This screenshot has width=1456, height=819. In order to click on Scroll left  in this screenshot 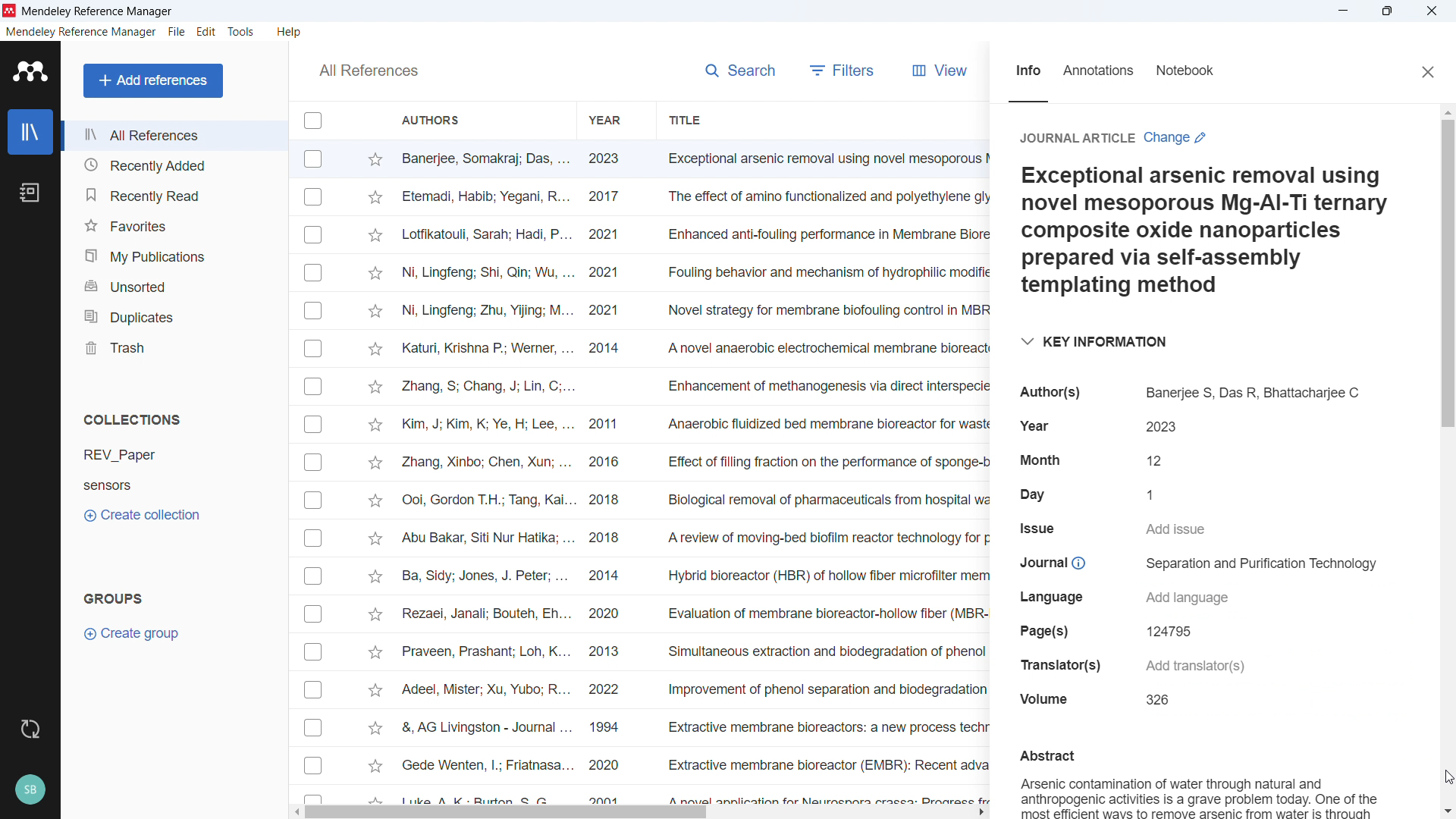, I will do `click(294, 813)`.